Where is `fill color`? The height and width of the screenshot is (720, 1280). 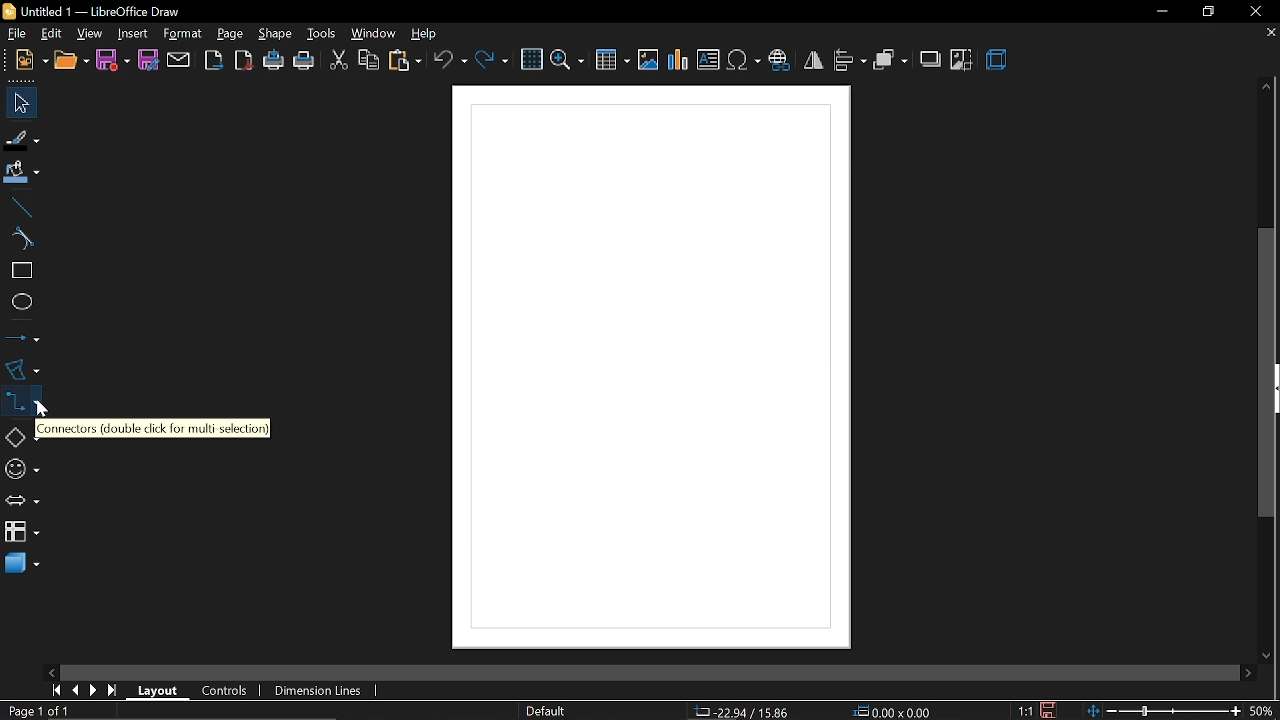 fill color is located at coordinates (22, 173).